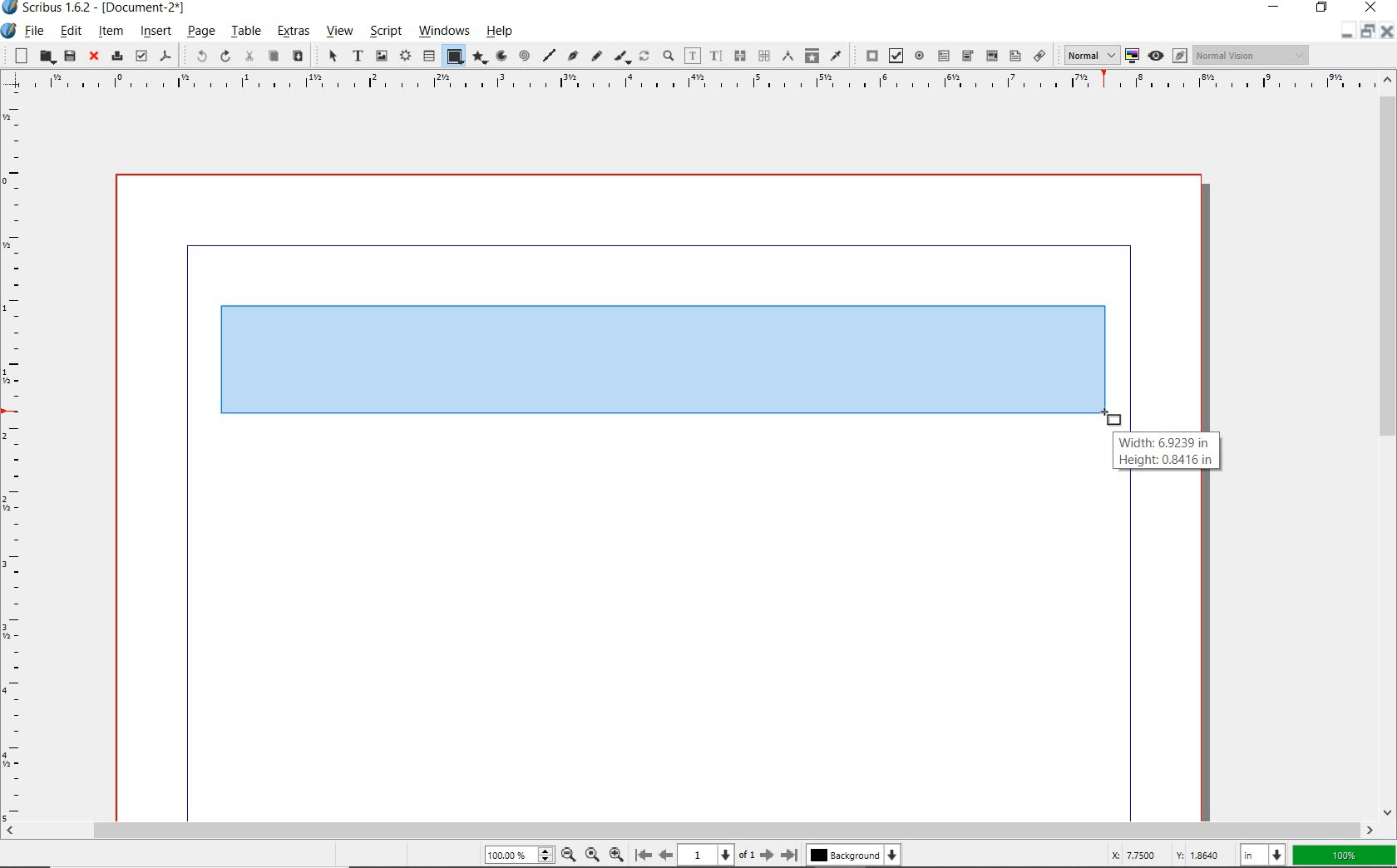 The height and width of the screenshot is (868, 1397). What do you see at coordinates (919, 56) in the screenshot?
I see `pdf radio button` at bounding box center [919, 56].